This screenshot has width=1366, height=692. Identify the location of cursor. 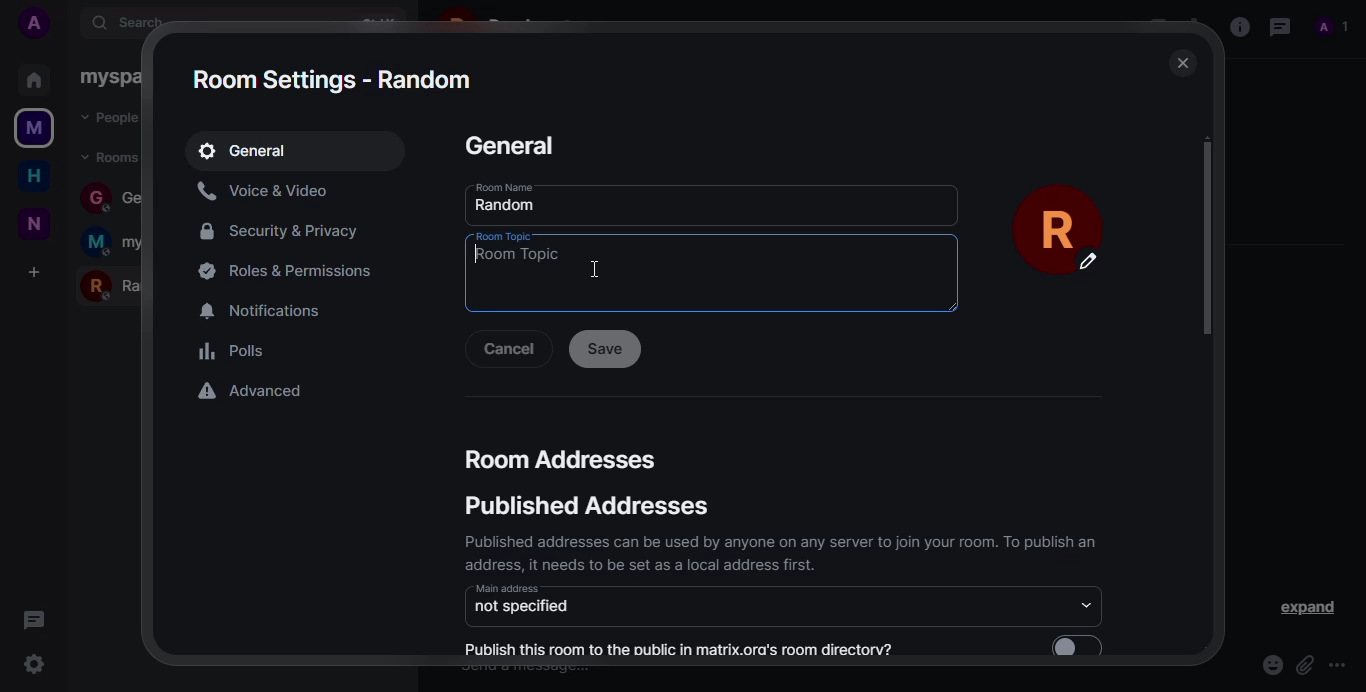
(595, 270).